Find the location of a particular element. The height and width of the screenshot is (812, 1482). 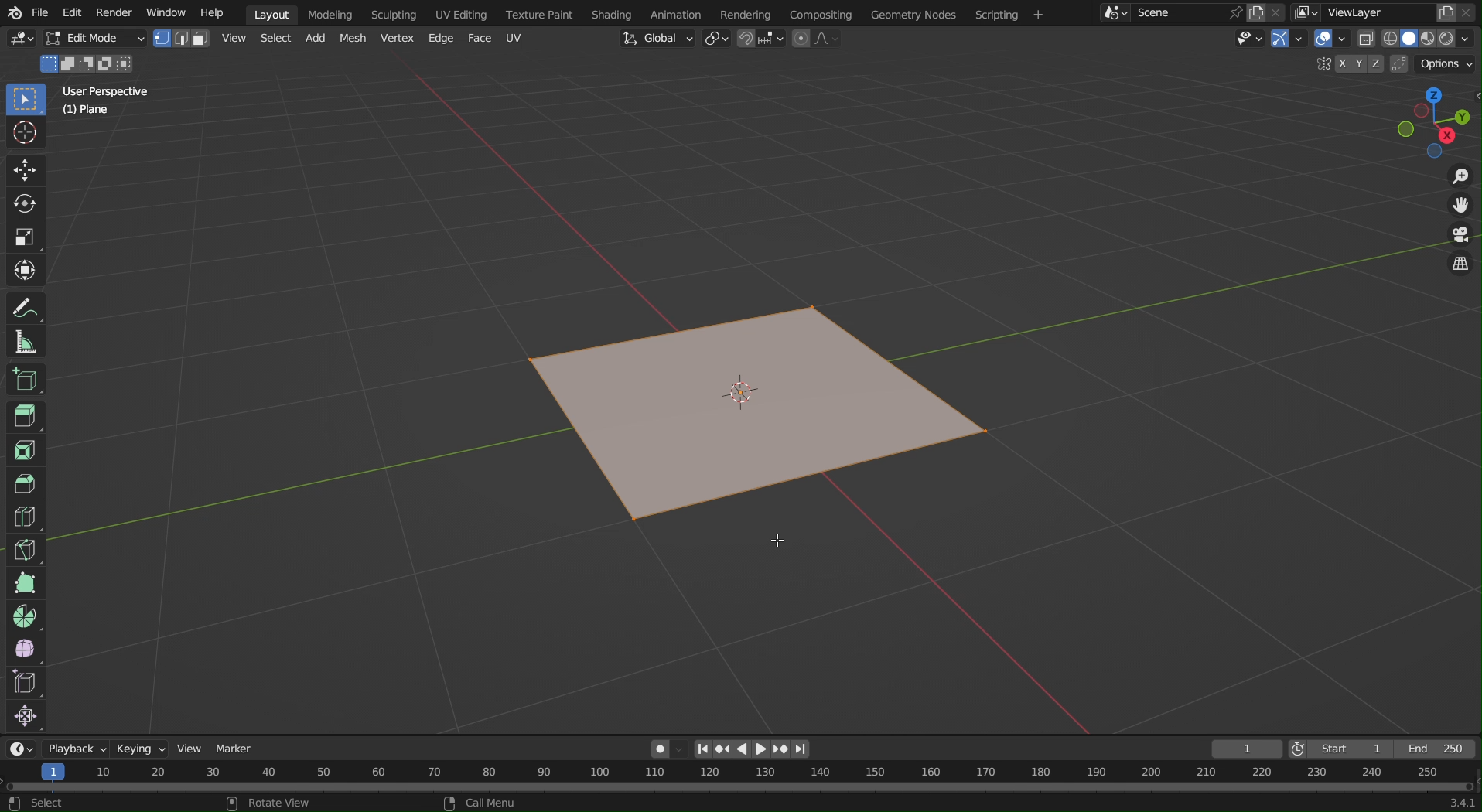

Blender logo is located at coordinates (13, 12).